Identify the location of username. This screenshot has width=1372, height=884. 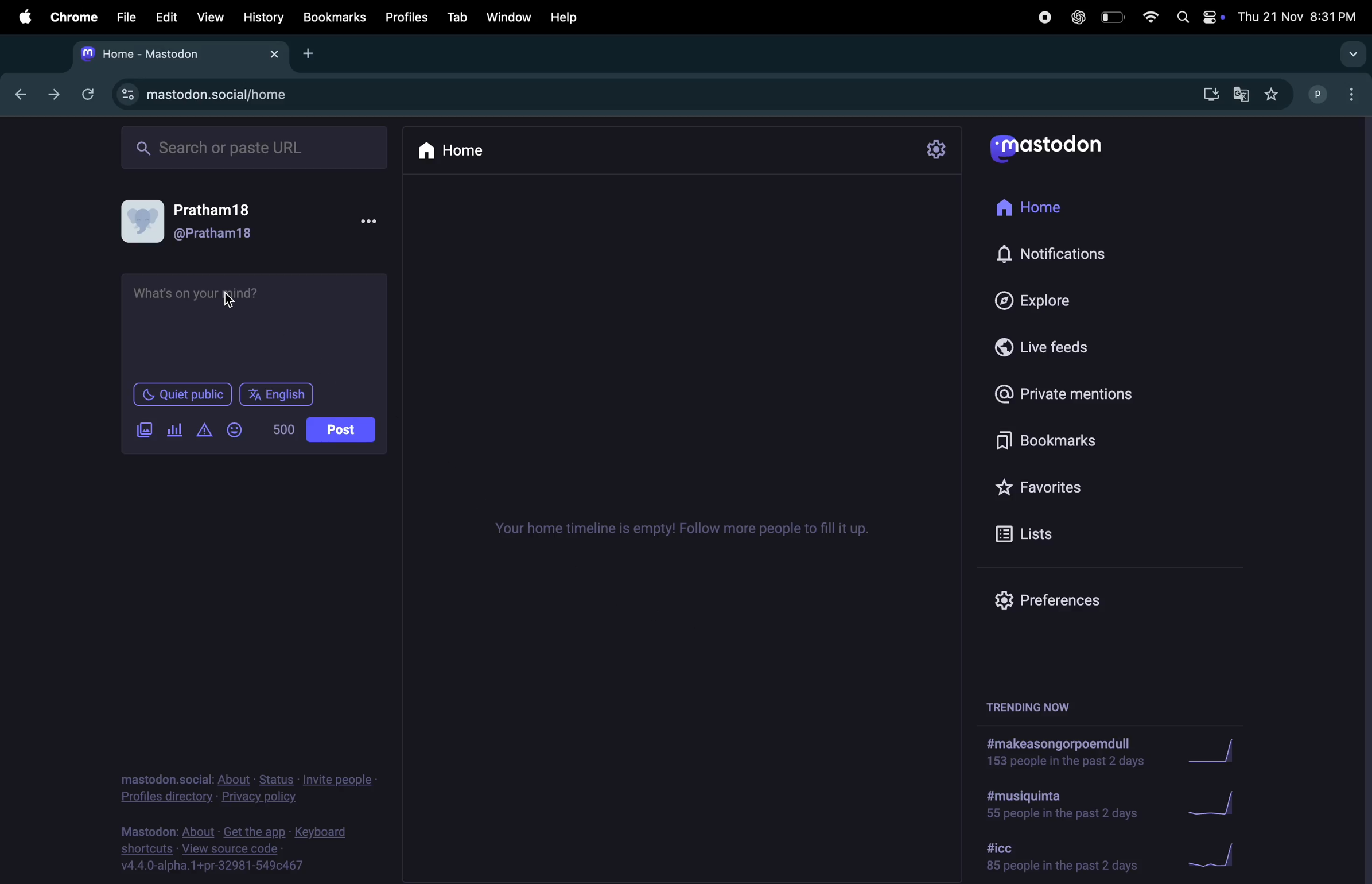
(1319, 95).